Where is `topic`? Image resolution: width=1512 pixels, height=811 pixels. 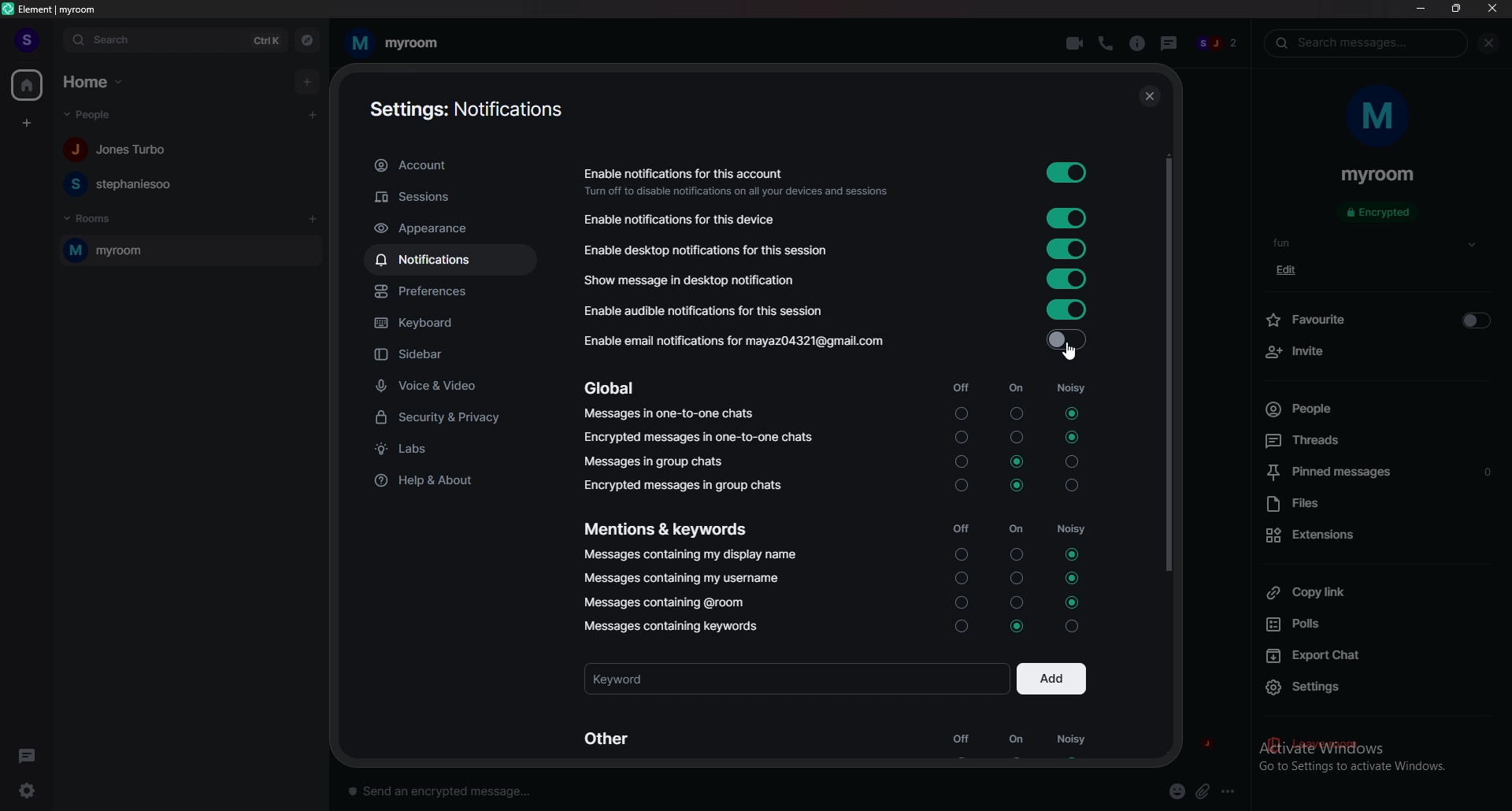 topic is located at coordinates (1294, 243).